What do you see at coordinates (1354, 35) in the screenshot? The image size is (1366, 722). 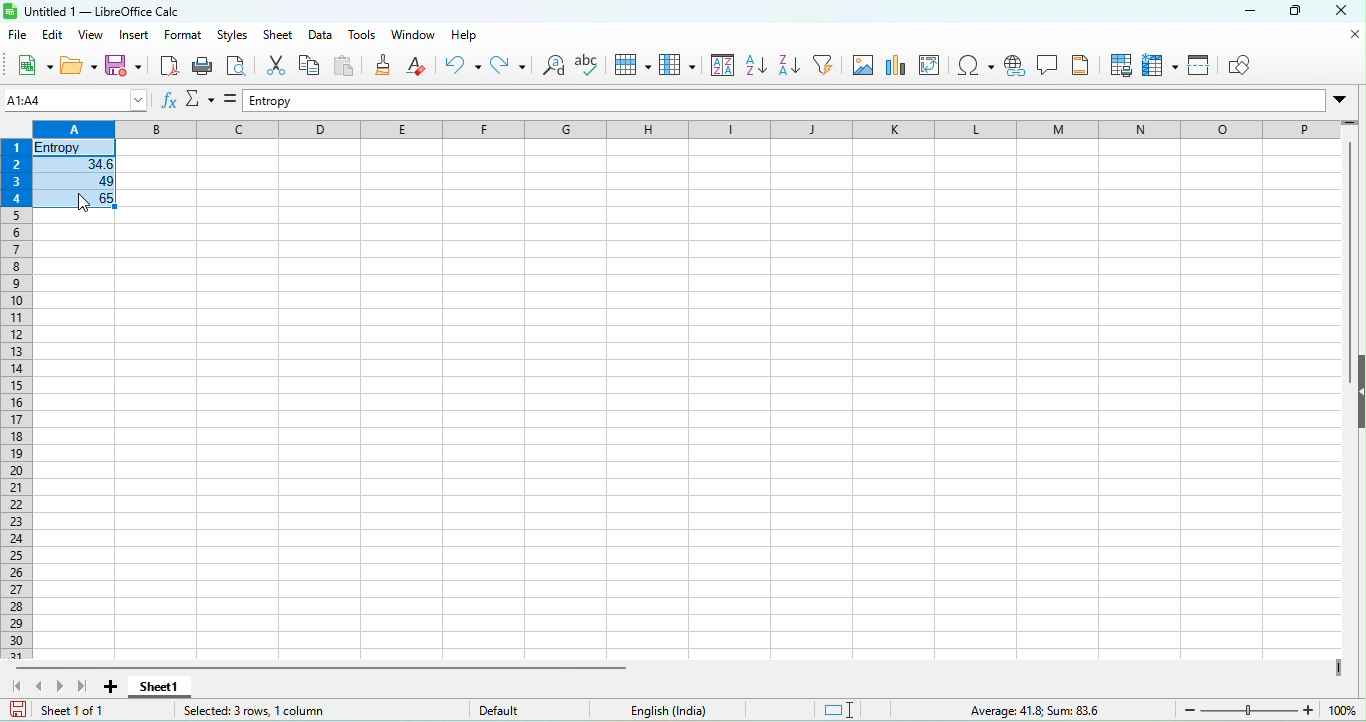 I see `close` at bounding box center [1354, 35].